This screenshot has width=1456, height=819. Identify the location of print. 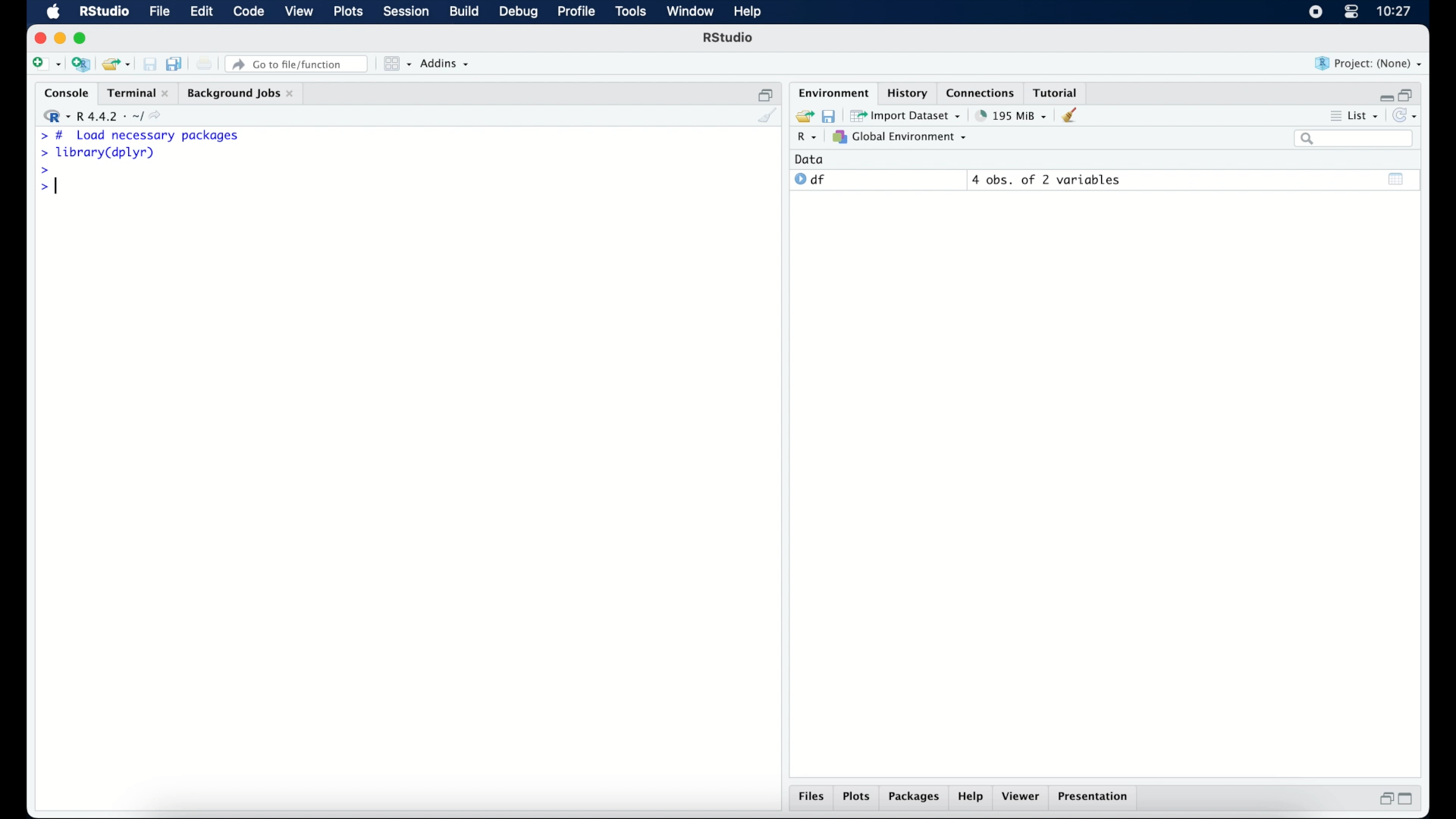
(205, 64).